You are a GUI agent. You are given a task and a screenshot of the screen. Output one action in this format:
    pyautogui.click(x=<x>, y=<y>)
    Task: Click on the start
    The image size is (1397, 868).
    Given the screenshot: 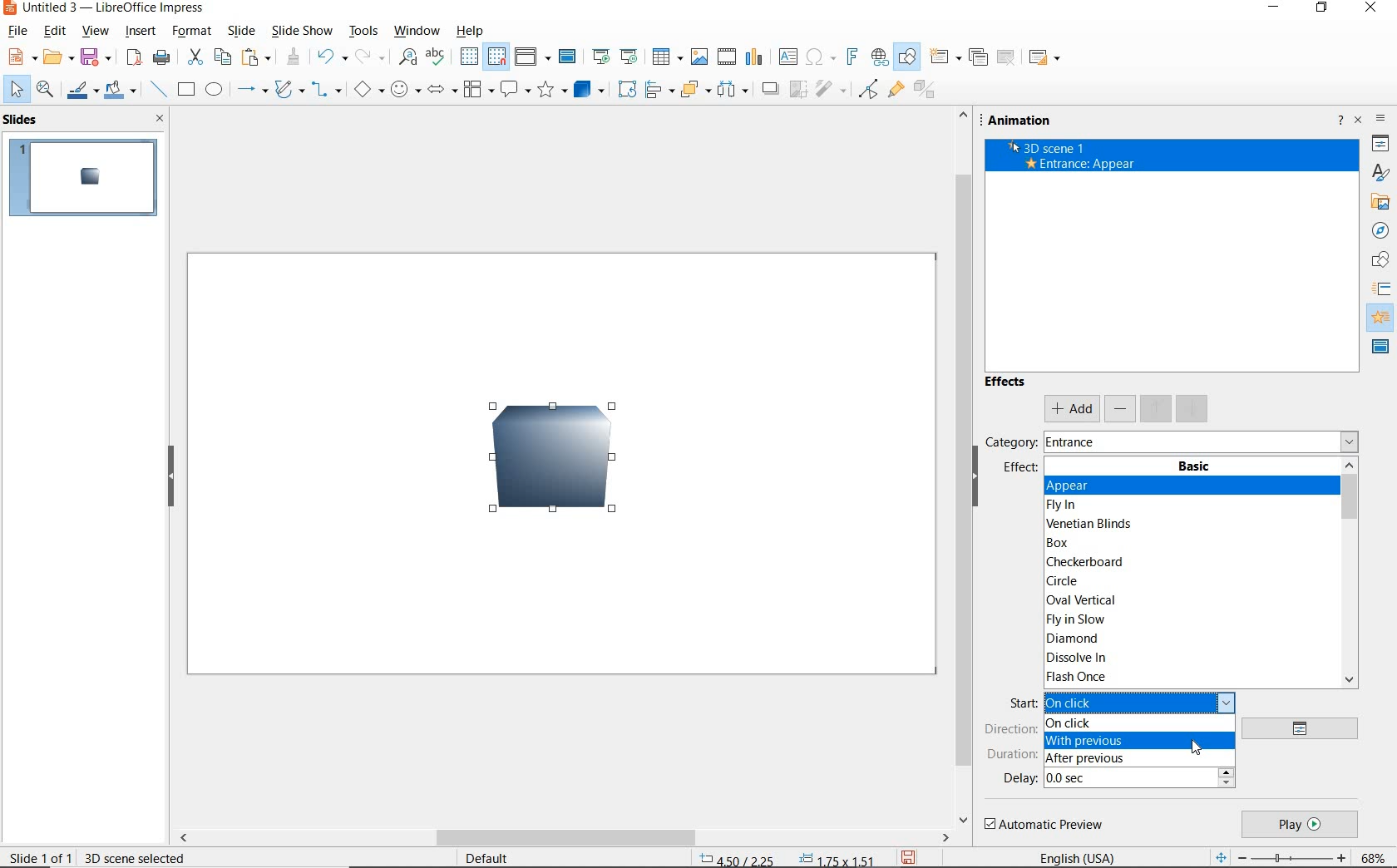 What is the action you would take?
    pyautogui.click(x=1020, y=703)
    